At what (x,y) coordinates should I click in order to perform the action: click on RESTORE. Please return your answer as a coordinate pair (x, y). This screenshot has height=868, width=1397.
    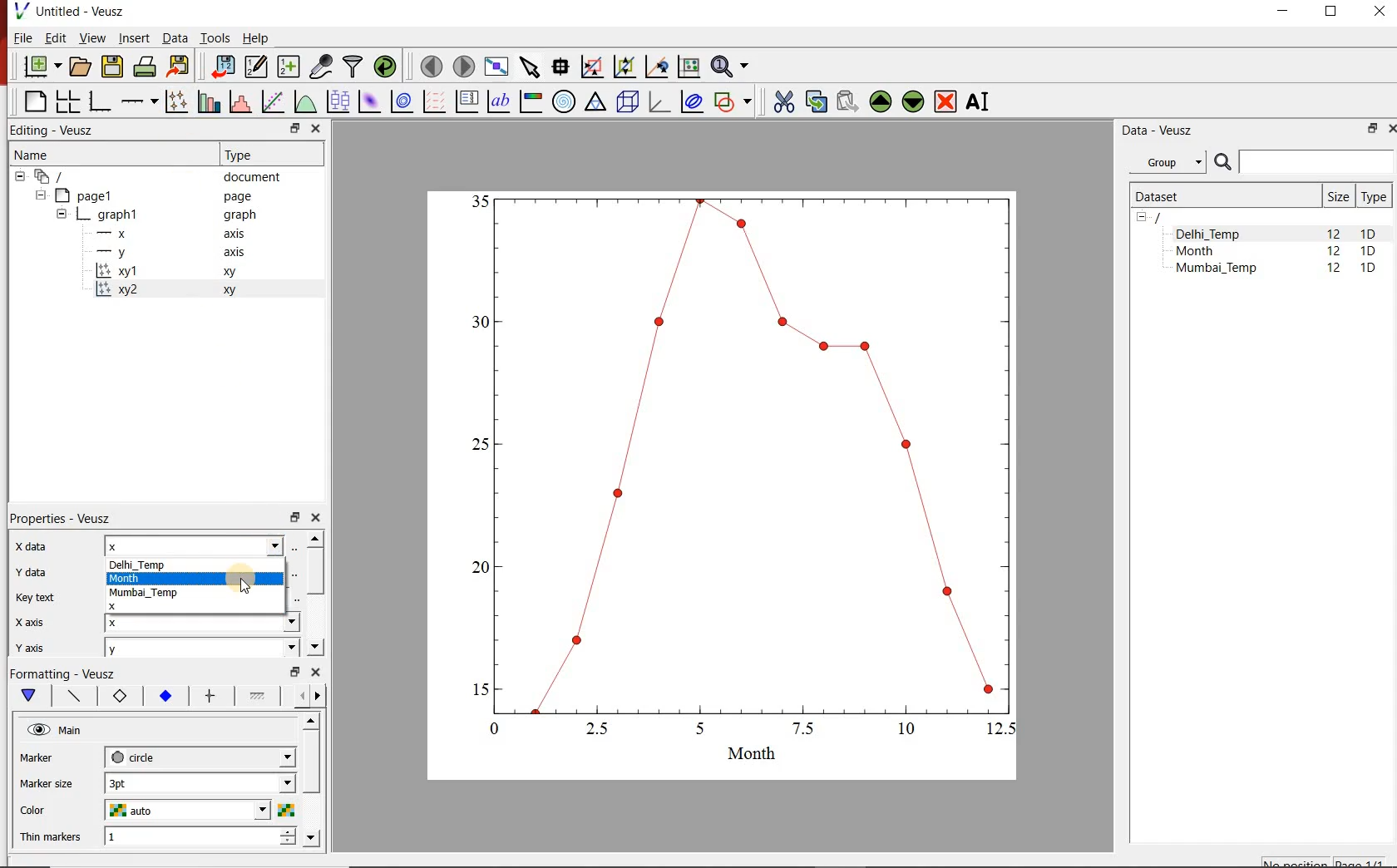
    Looking at the image, I should click on (1331, 12).